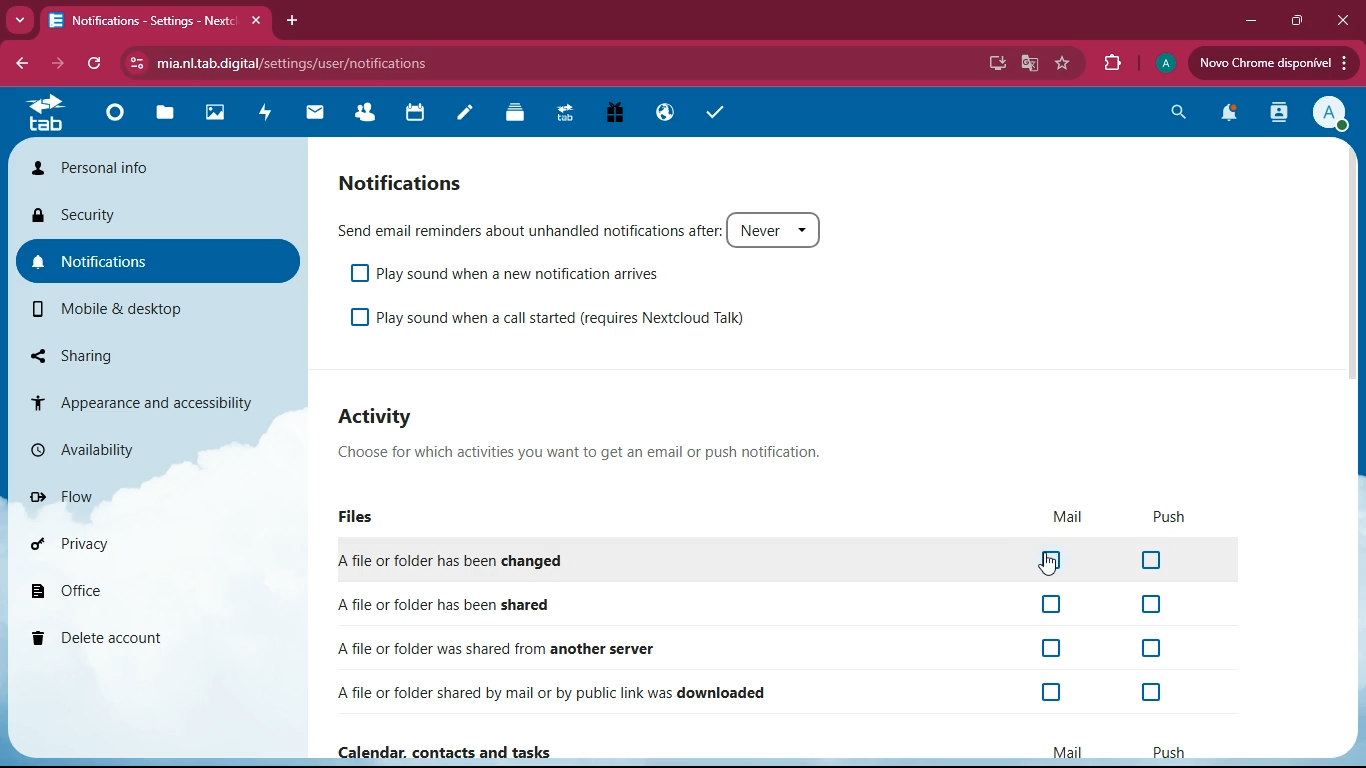 This screenshot has height=768, width=1366. I want to click on files, so click(519, 117).